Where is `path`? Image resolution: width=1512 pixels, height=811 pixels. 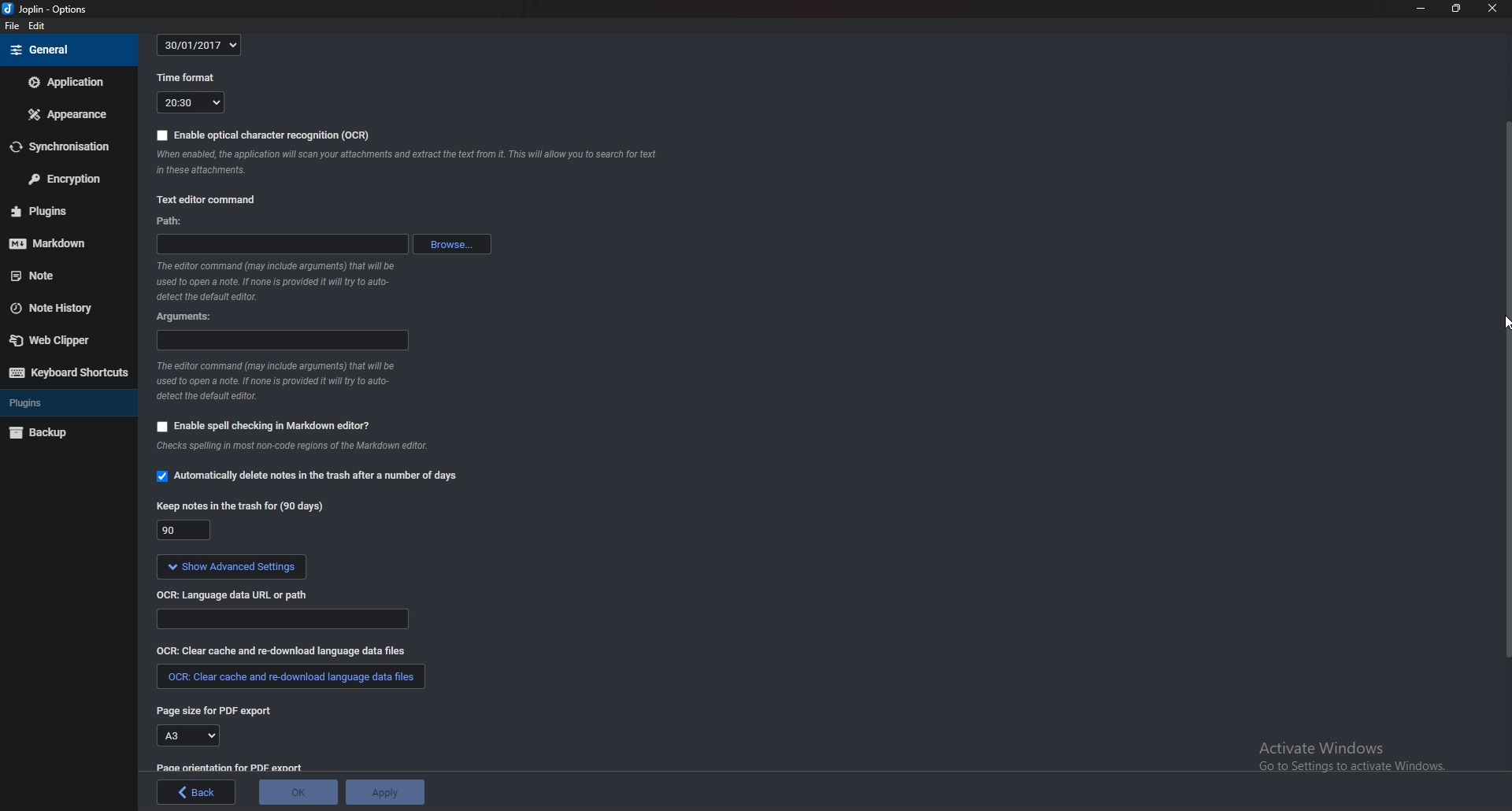
path is located at coordinates (171, 220).